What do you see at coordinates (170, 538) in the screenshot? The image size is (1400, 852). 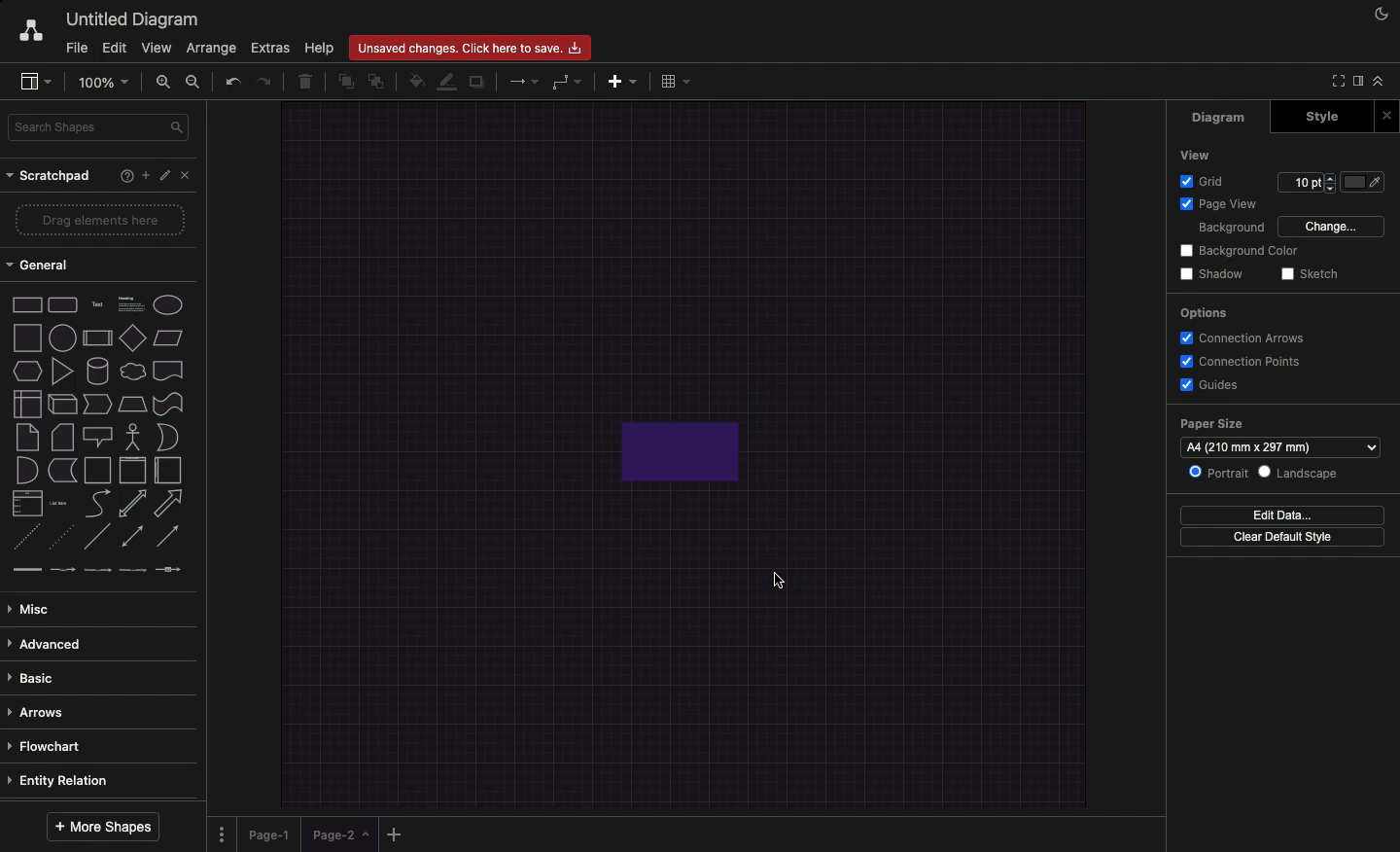 I see `directional connector` at bounding box center [170, 538].